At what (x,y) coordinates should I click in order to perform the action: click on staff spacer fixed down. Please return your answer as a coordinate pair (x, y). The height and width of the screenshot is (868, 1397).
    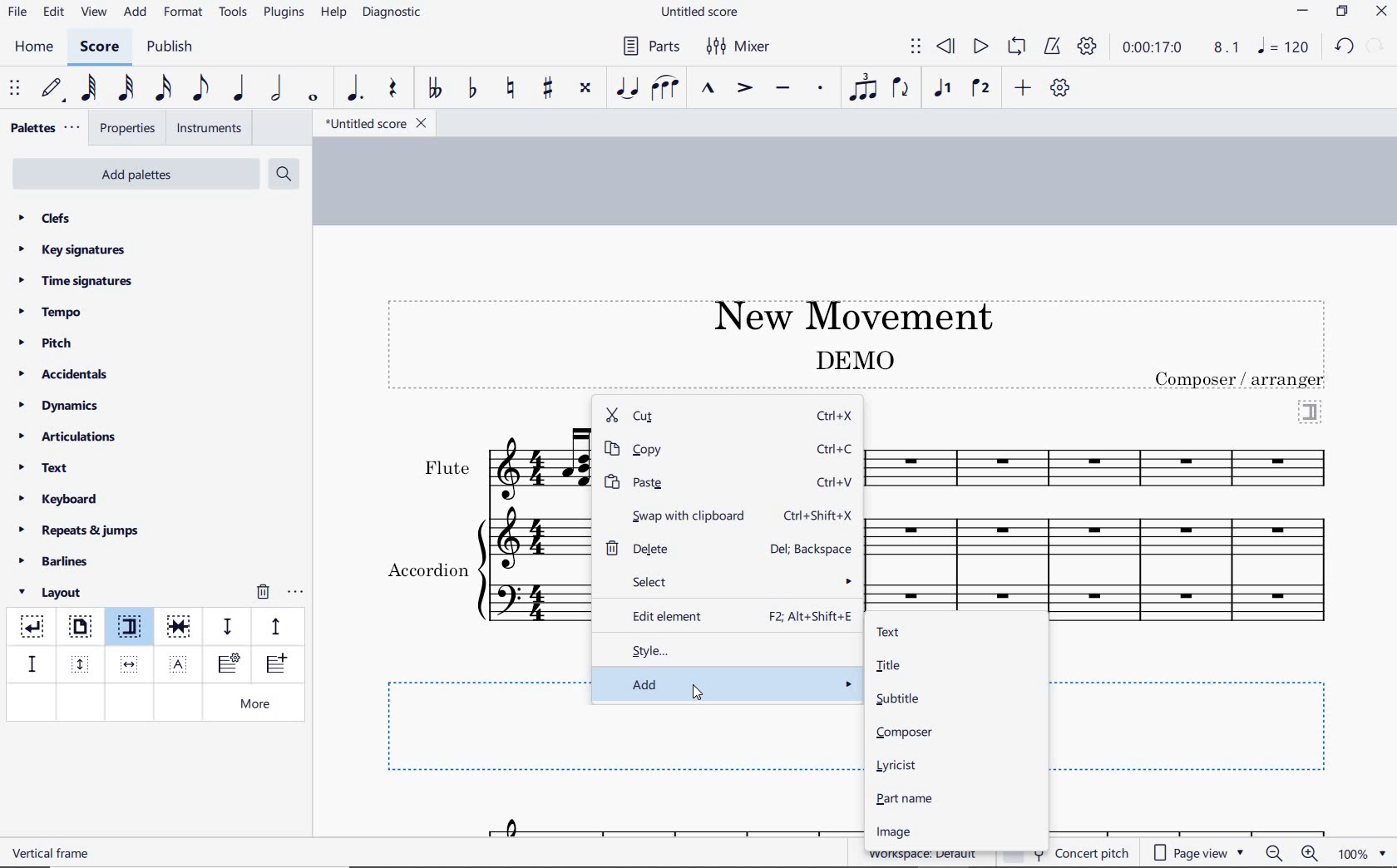
    Looking at the image, I should click on (30, 663).